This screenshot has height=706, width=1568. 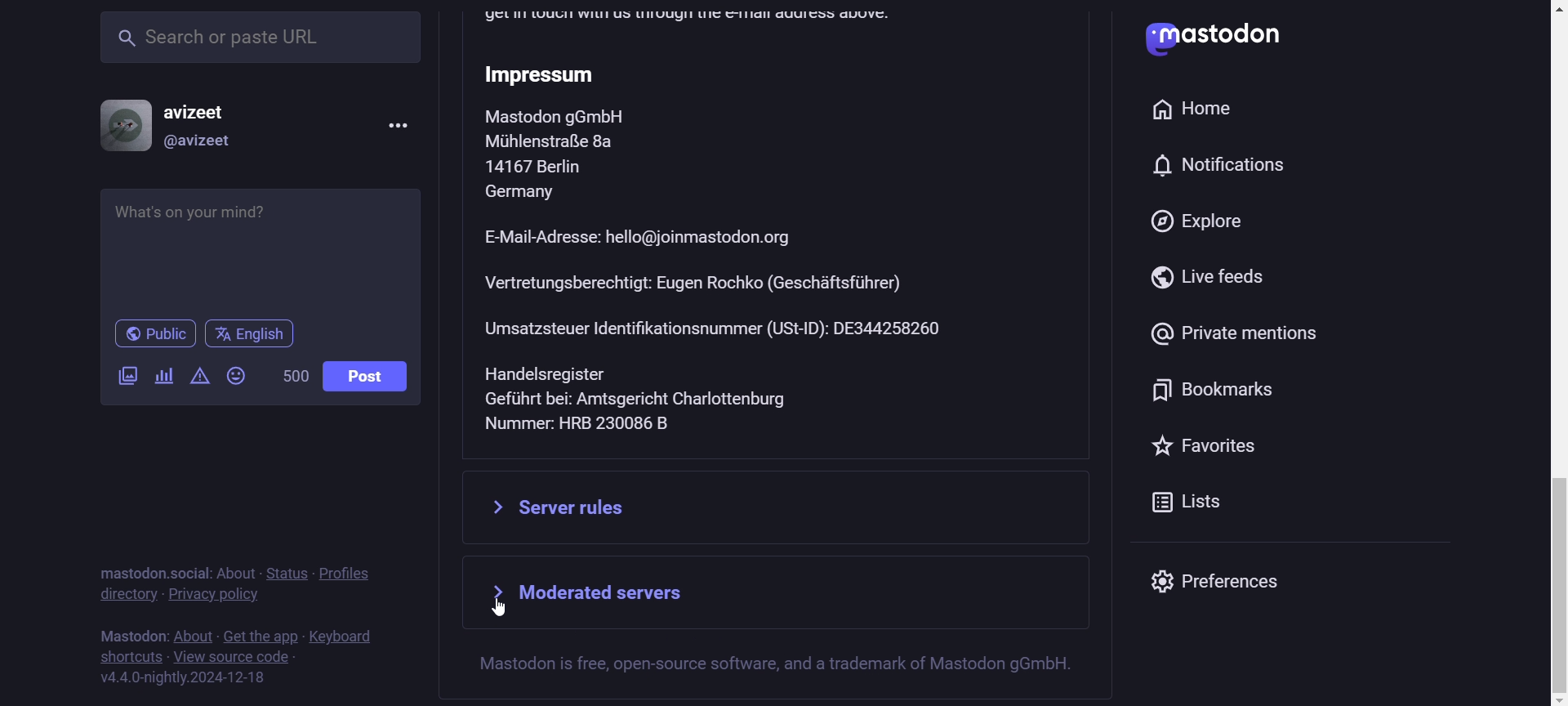 I want to click on version, so click(x=184, y=679).